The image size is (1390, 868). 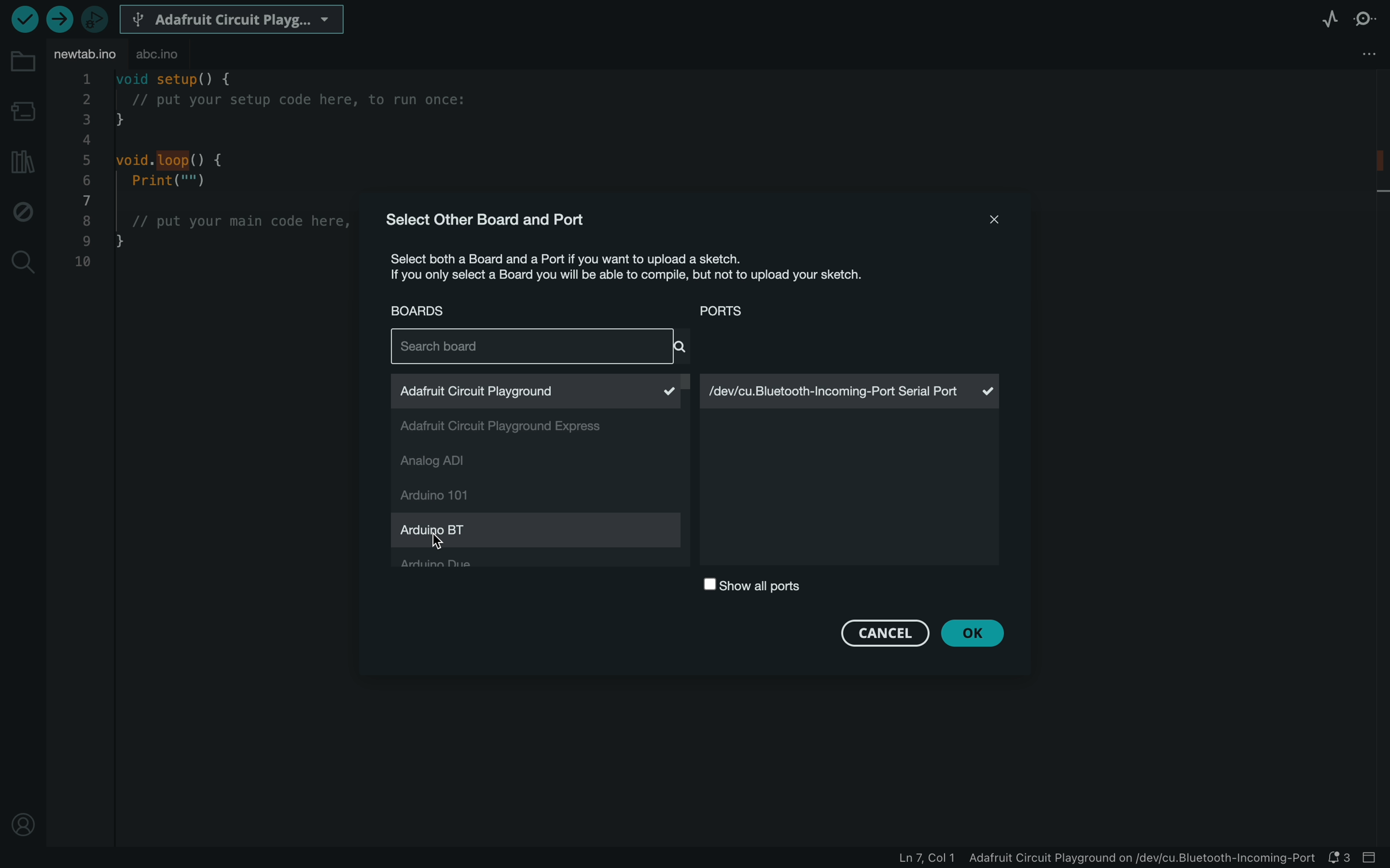 I want to click on cursor, so click(x=439, y=549).